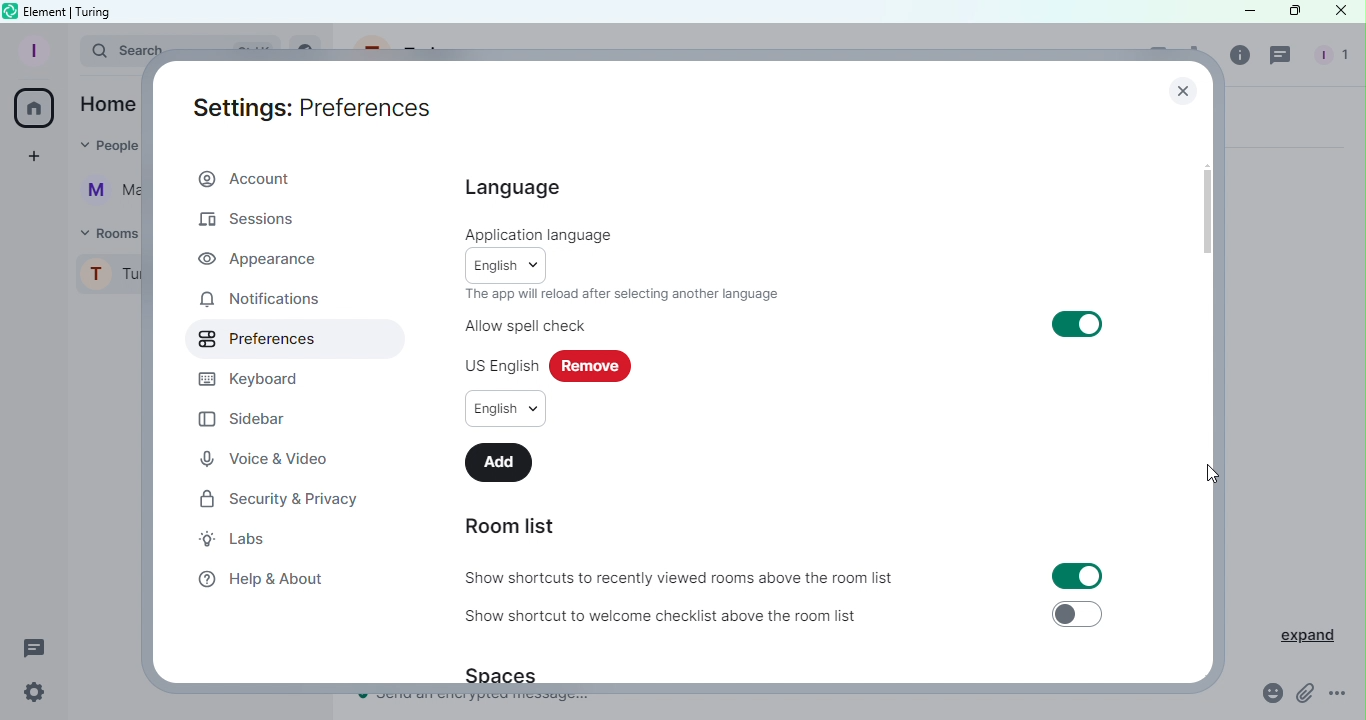 This screenshot has width=1366, height=720. What do you see at coordinates (504, 409) in the screenshot?
I see `English` at bounding box center [504, 409].